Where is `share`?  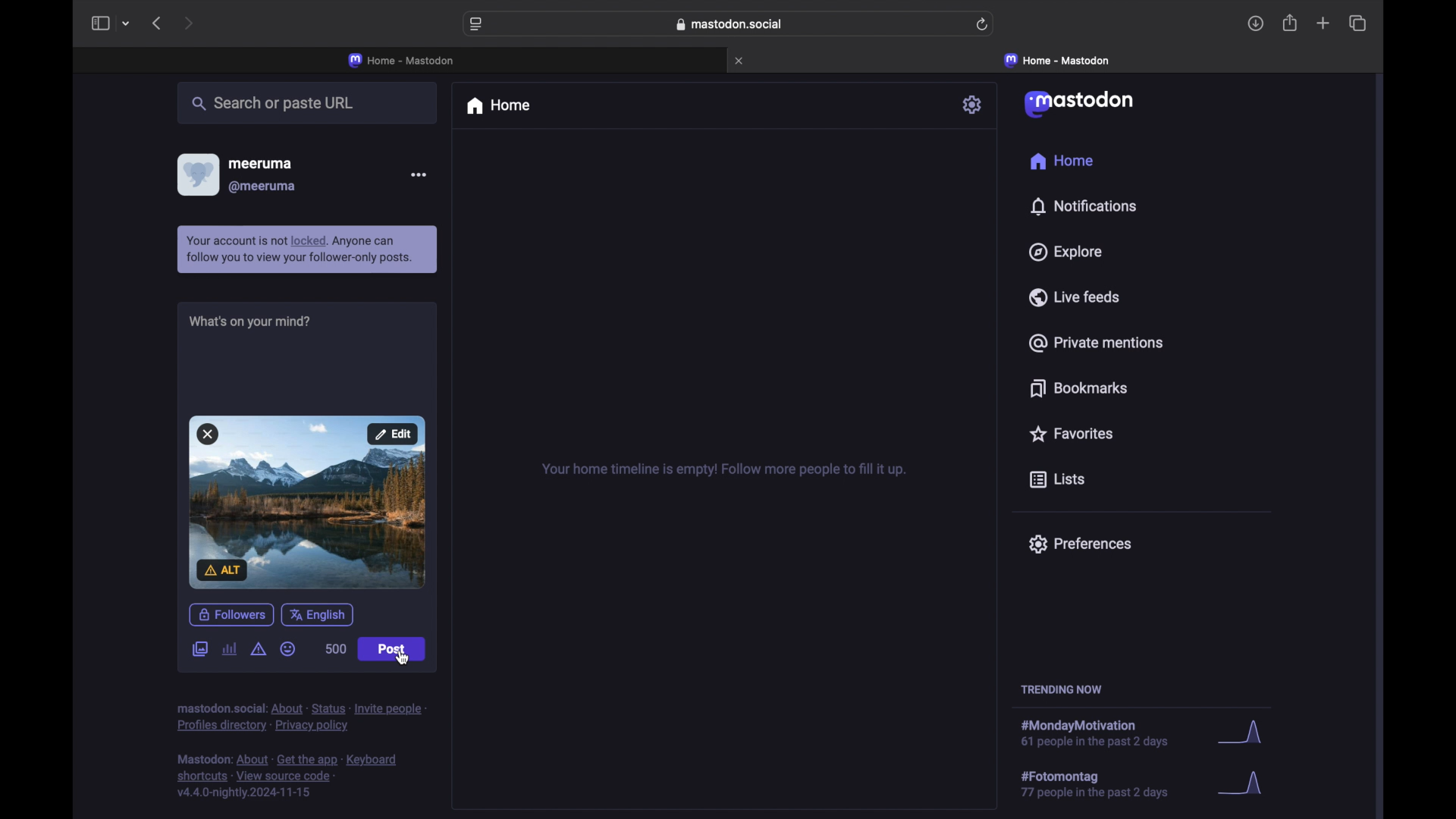 share is located at coordinates (1289, 24).